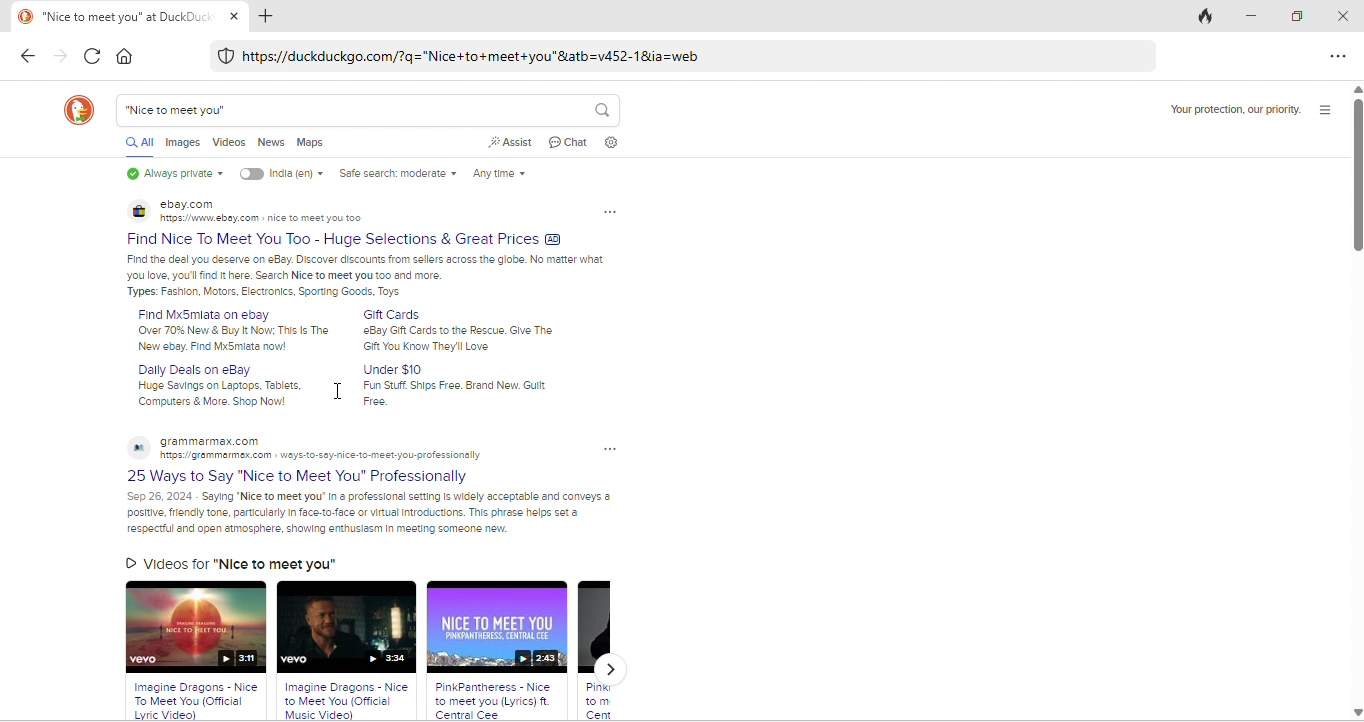 The width and height of the screenshot is (1364, 722). I want to click on search, so click(601, 109).